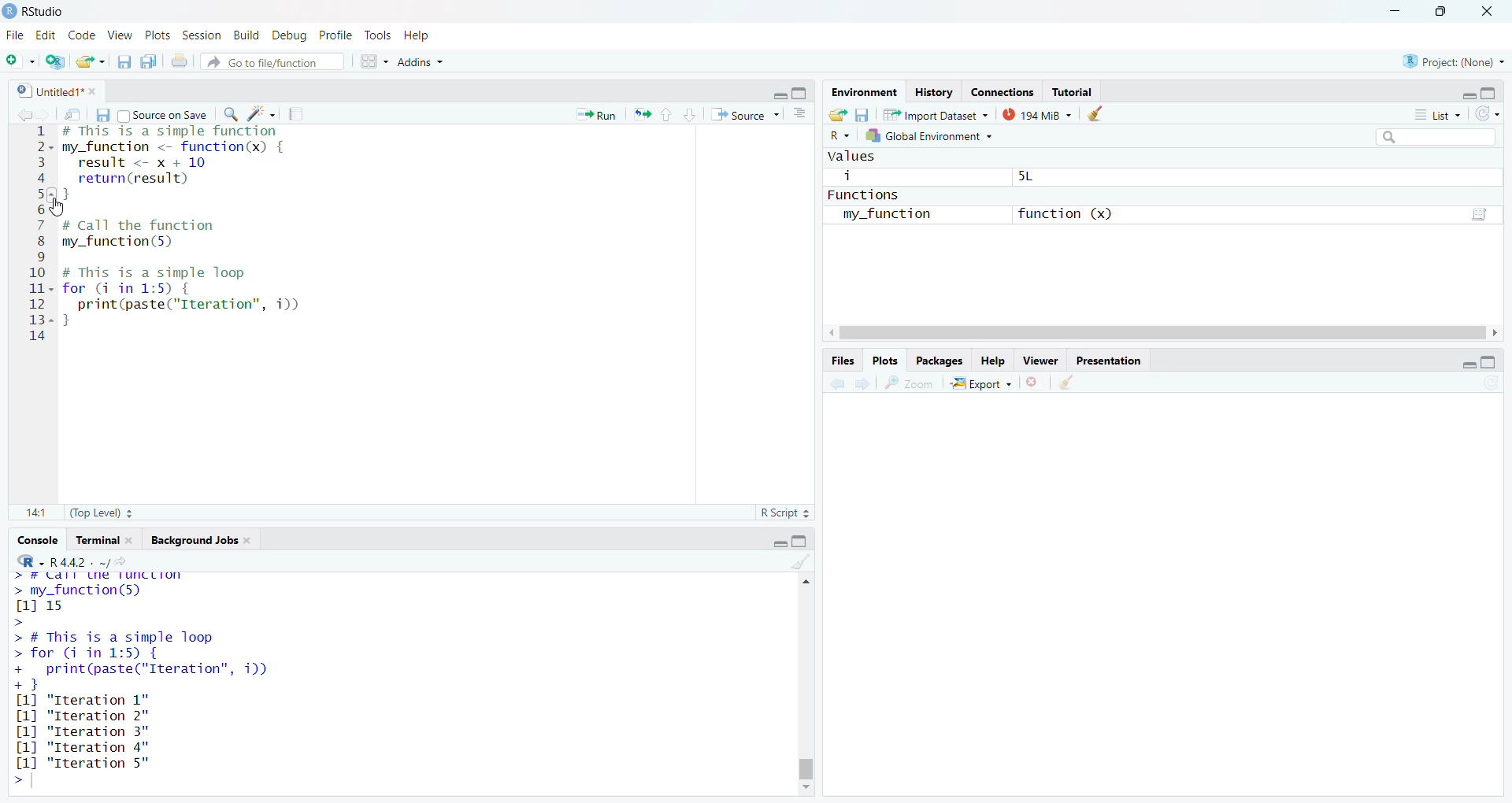 Image resolution: width=1512 pixels, height=803 pixels. I want to click on [1] "Iteration 3", so click(81, 732).